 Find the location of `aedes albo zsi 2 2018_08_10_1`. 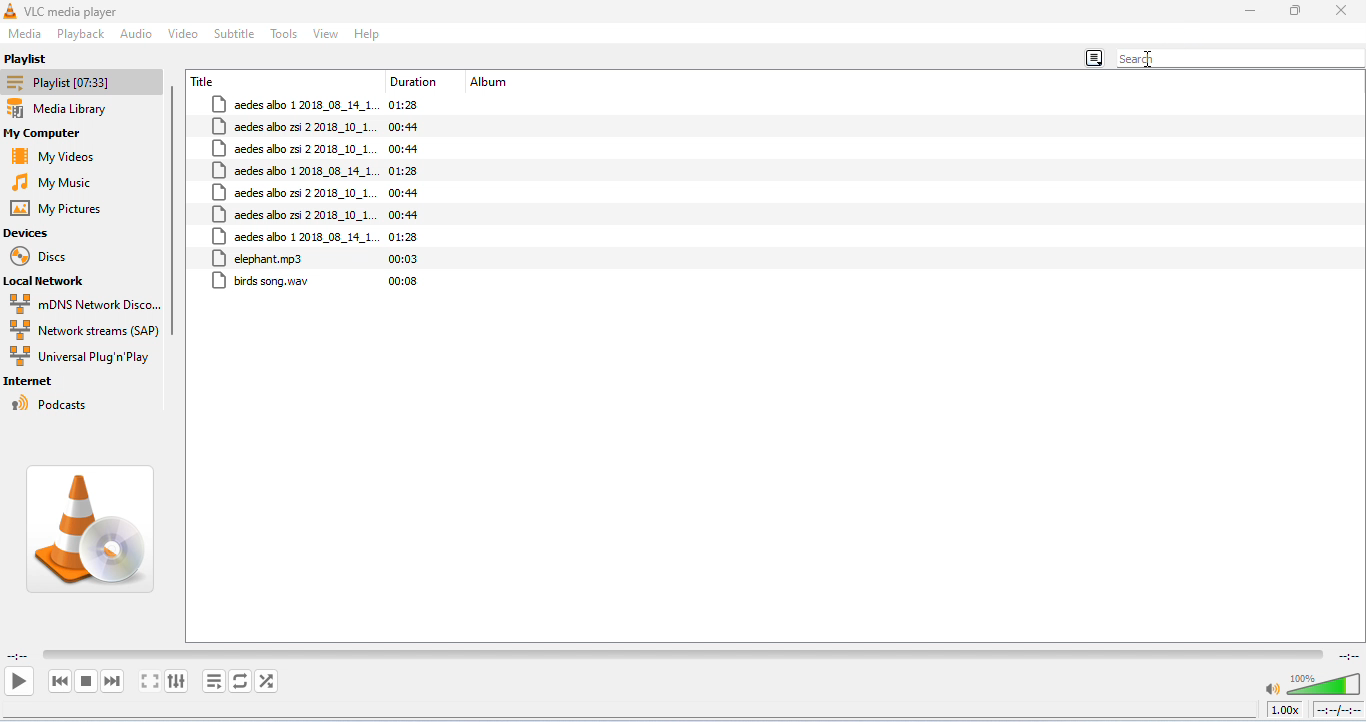

aedes albo zsi 2 2018_08_10_1 is located at coordinates (295, 192).